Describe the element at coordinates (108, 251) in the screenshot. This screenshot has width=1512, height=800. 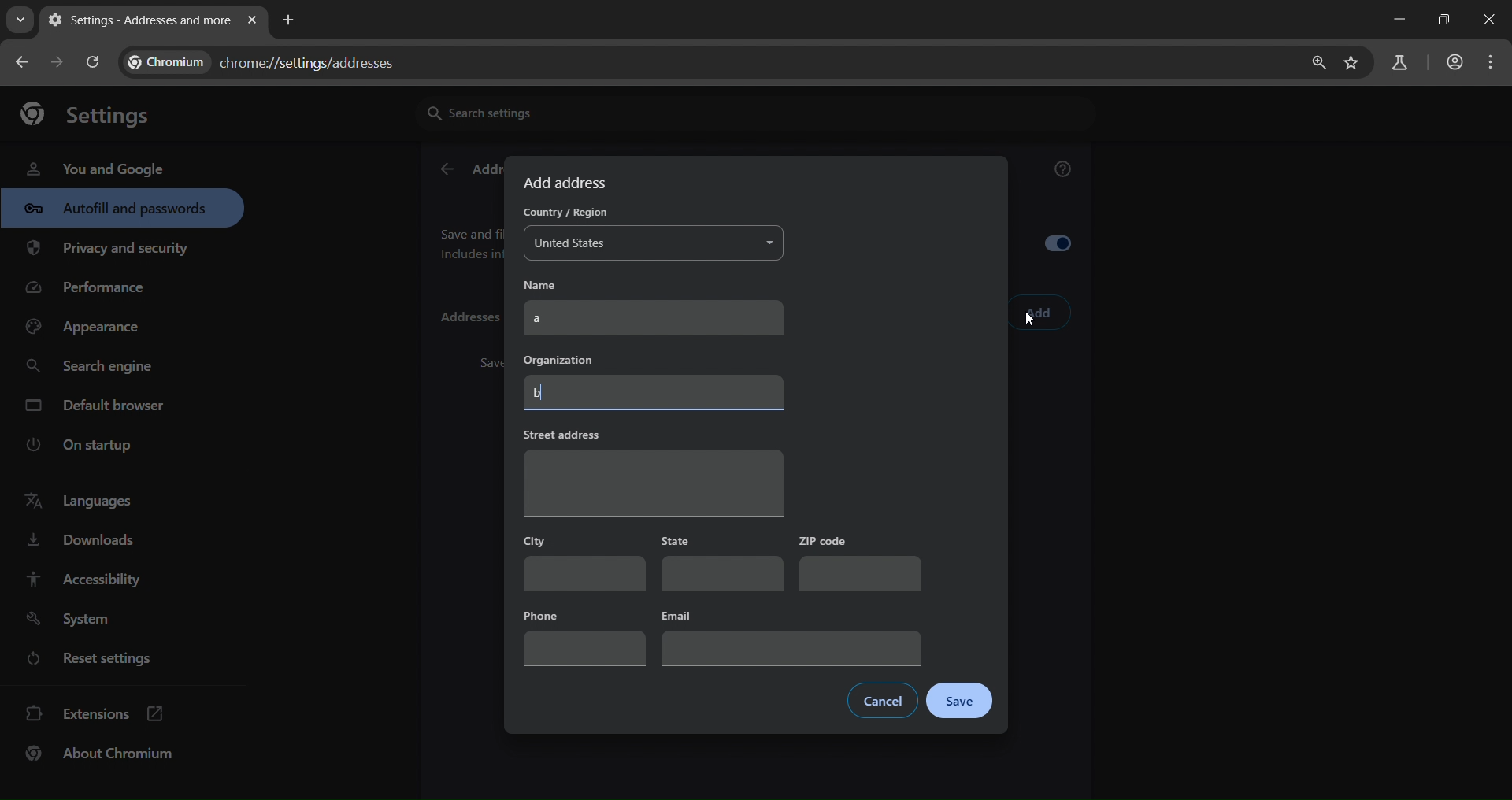
I see `privacy & security` at that location.